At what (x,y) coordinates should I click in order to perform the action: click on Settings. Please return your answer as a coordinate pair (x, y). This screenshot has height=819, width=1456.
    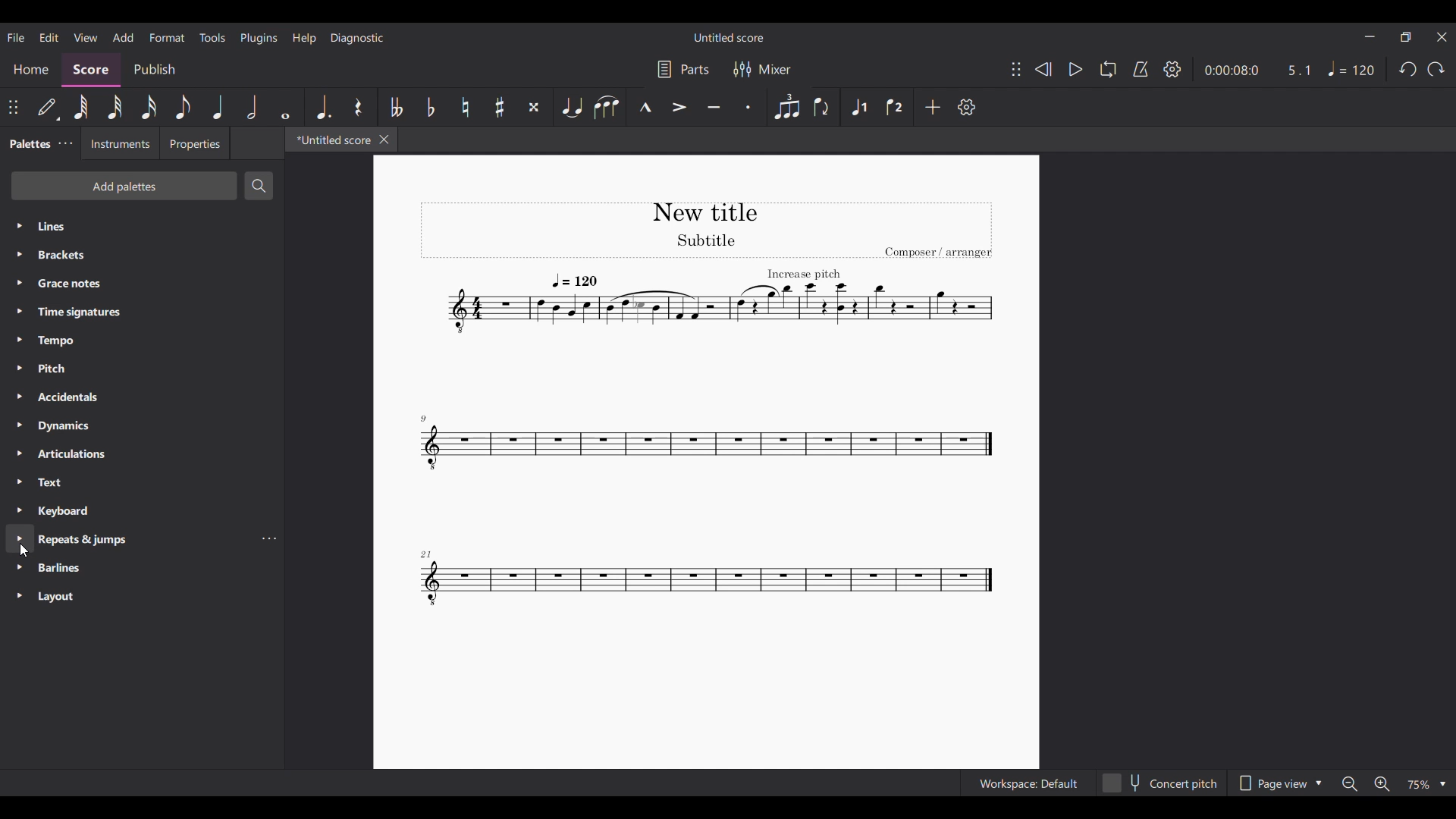
    Looking at the image, I should click on (967, 107).